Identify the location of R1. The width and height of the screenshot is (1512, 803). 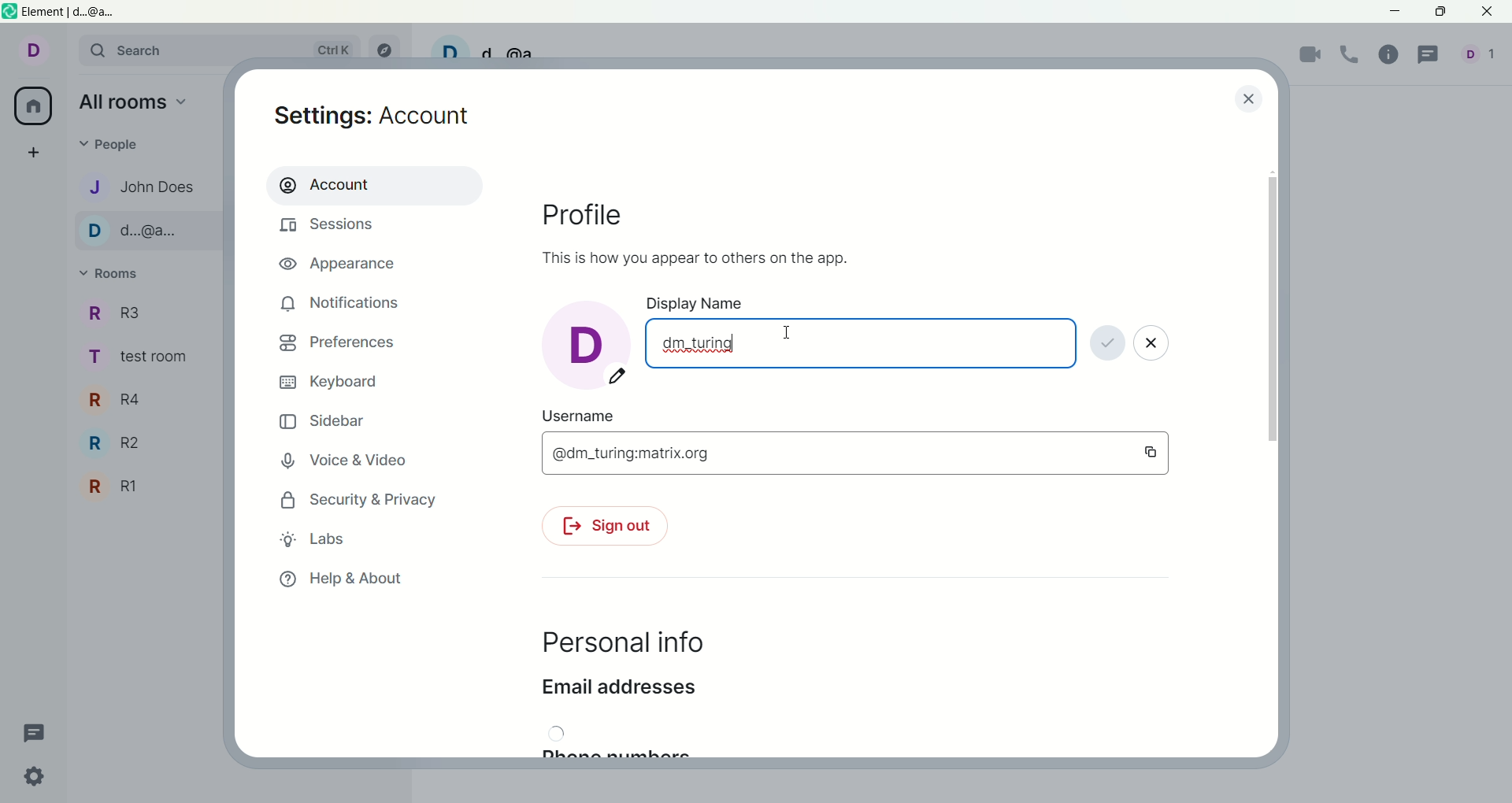
(115, 487).